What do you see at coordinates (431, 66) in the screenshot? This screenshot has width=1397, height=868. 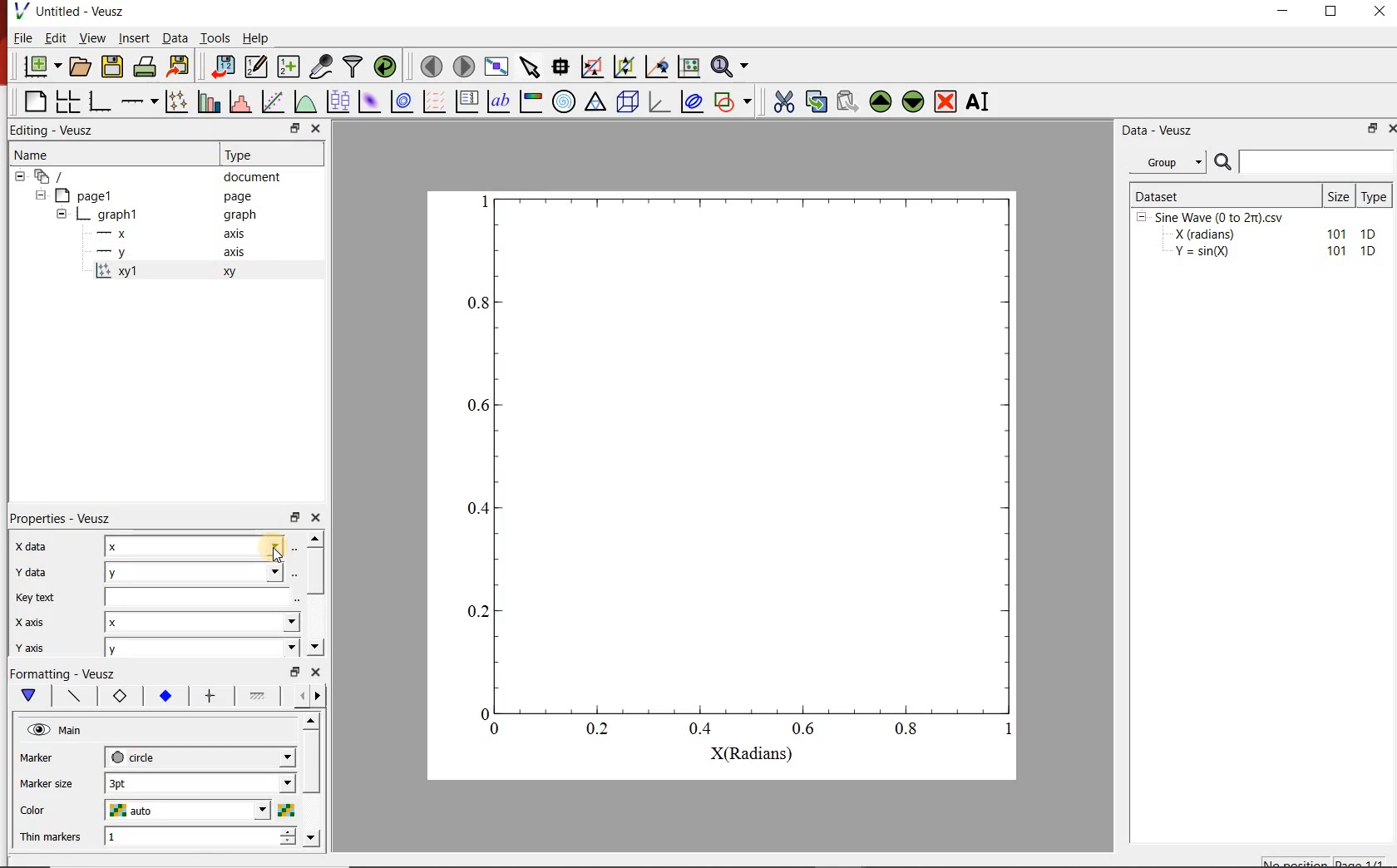 I see `go to previous page` at bounding box center [431, 66].